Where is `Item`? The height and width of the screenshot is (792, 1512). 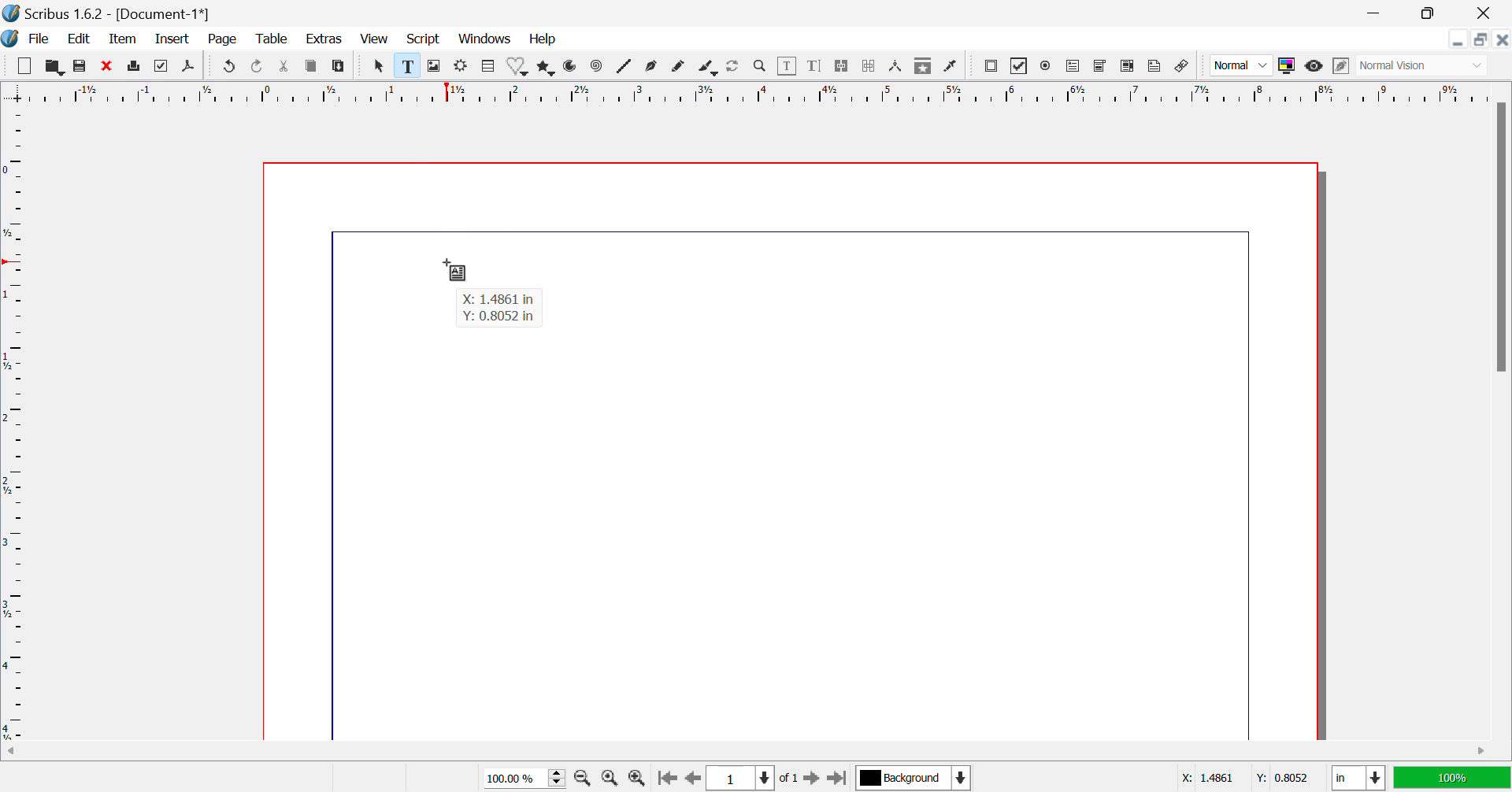 Item is located at coordinates (123, 41).